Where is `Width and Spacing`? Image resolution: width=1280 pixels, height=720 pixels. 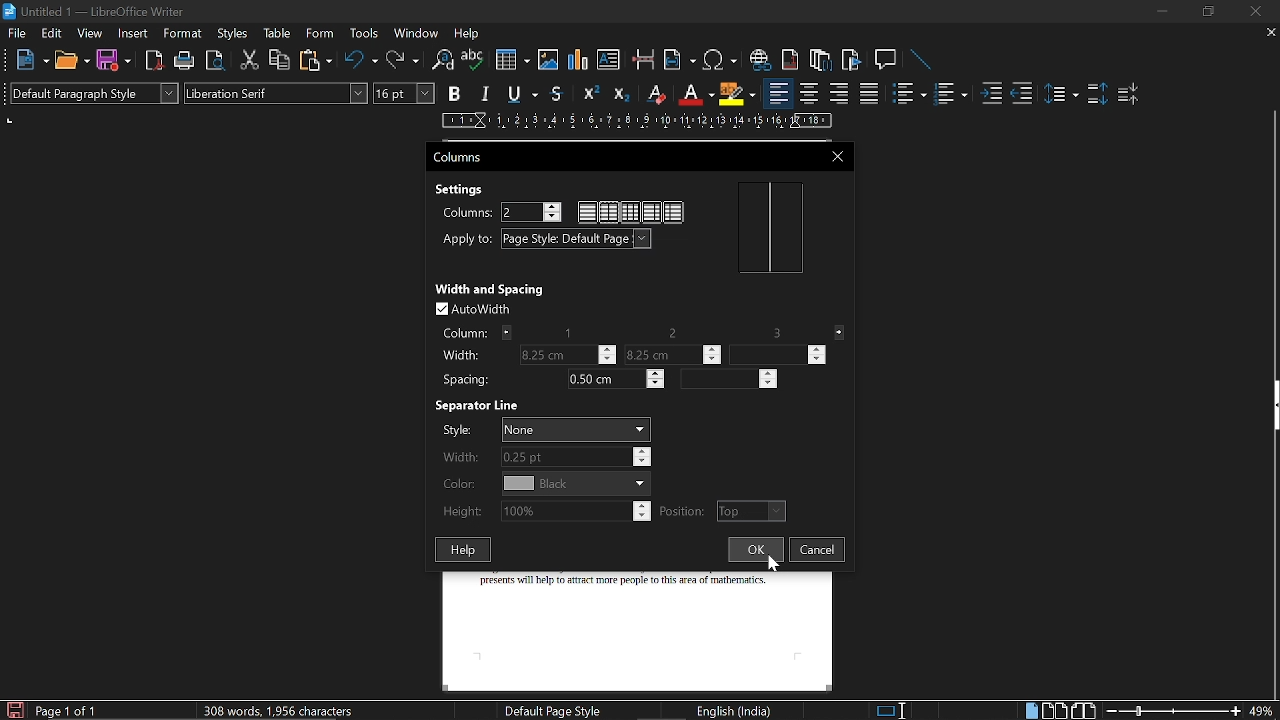 Width and Spacing is located at coordinates (492, 290).